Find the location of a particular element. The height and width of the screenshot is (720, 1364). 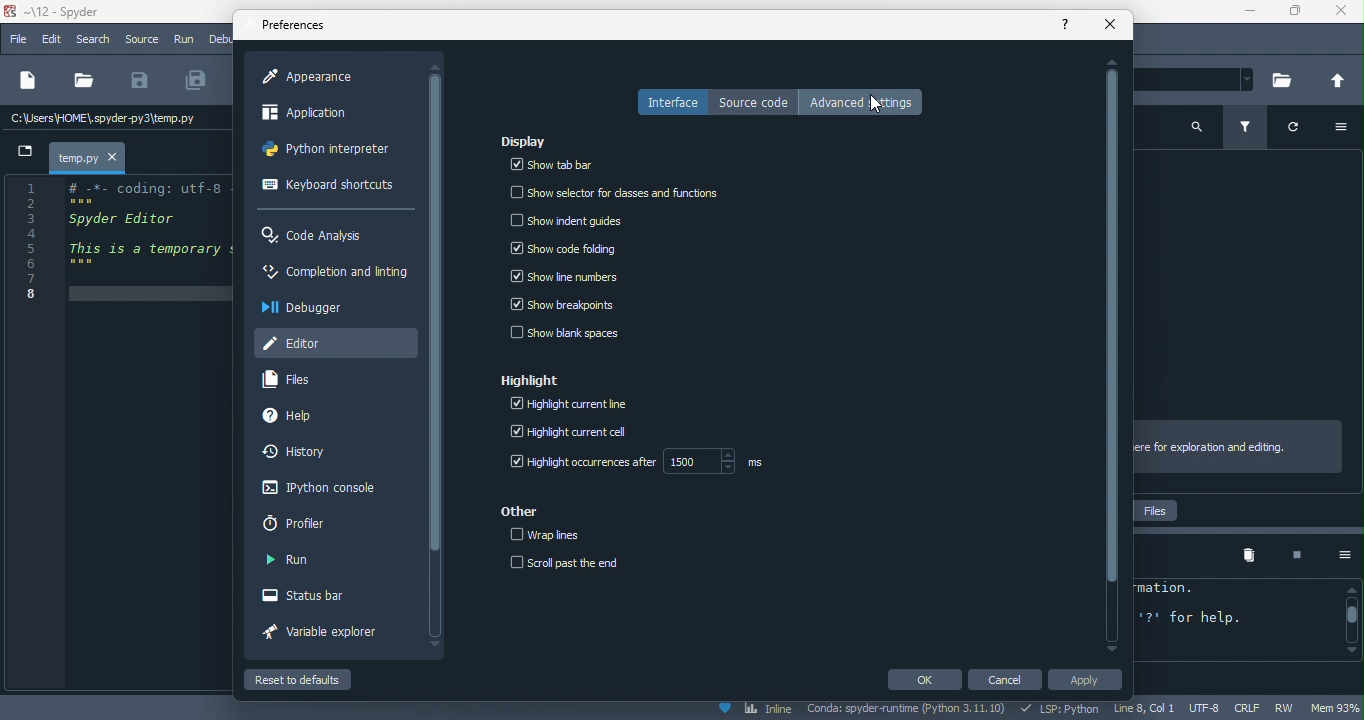

vertical scroll bar is located at coordinates (1350, 620).